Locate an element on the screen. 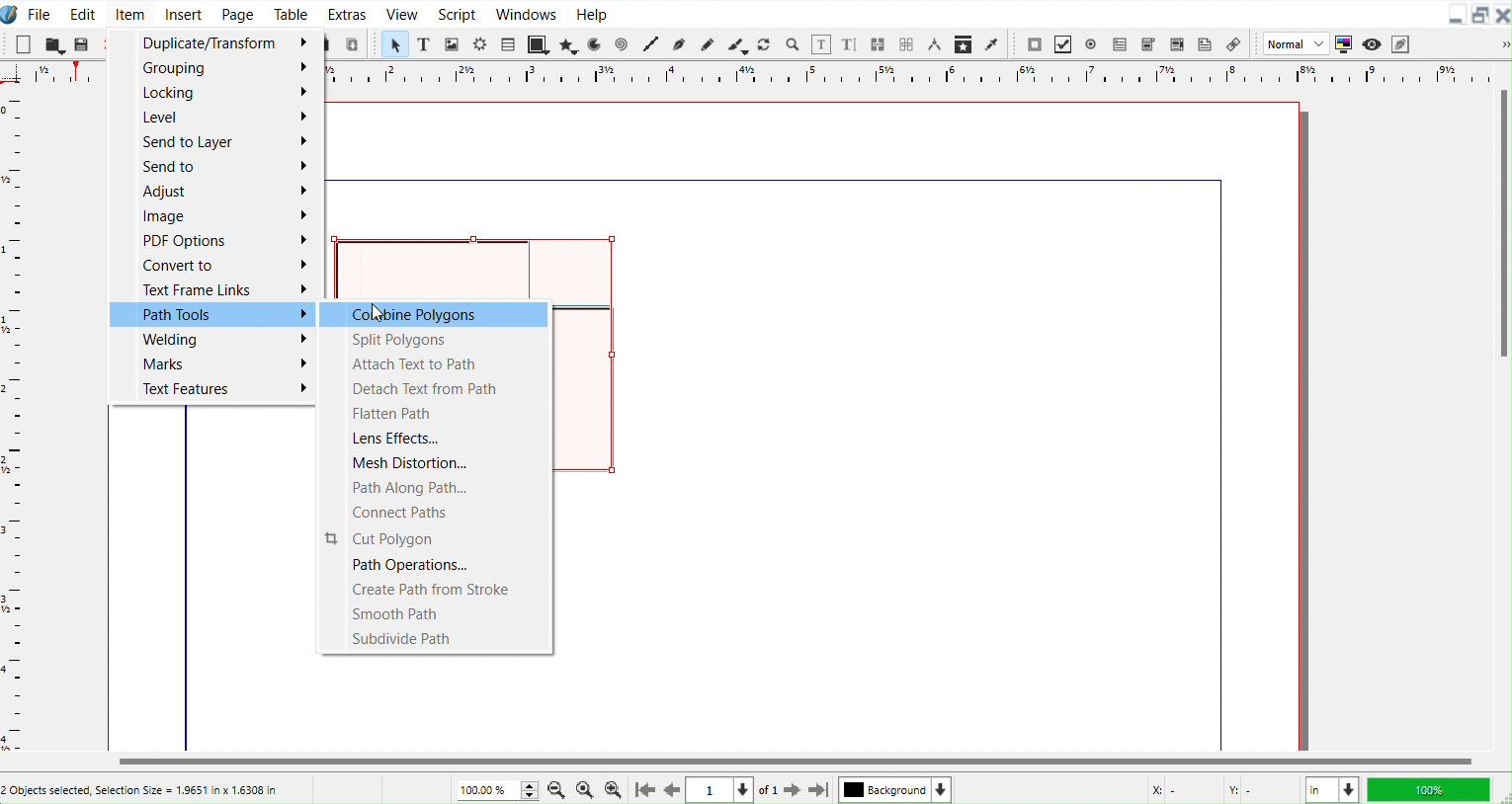 The width and height of the screenshot is (1512, 804). Table is located at coordinates (508, 43).